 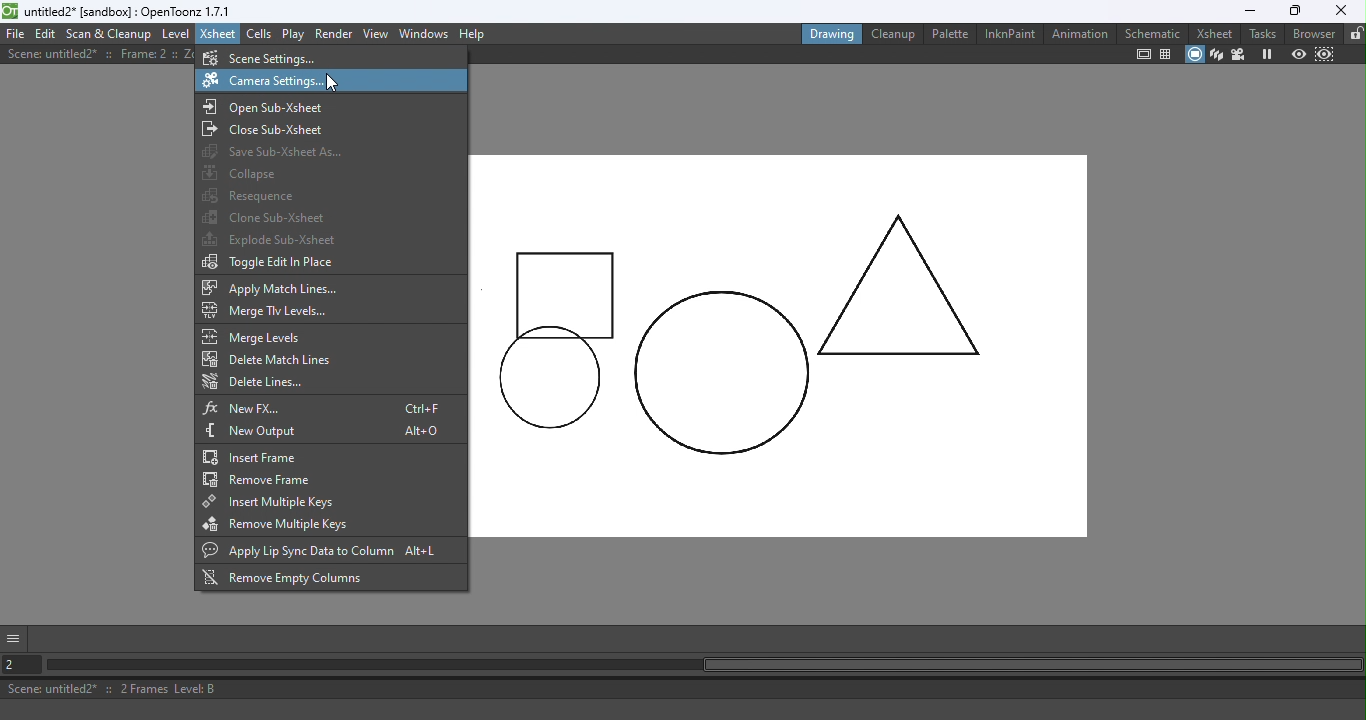 What do you see at coordinates (685, 688) in the screenshot?
I see `Scene: untitled2* :: 2 Frames Level: B` at bounding box center [685, 688].